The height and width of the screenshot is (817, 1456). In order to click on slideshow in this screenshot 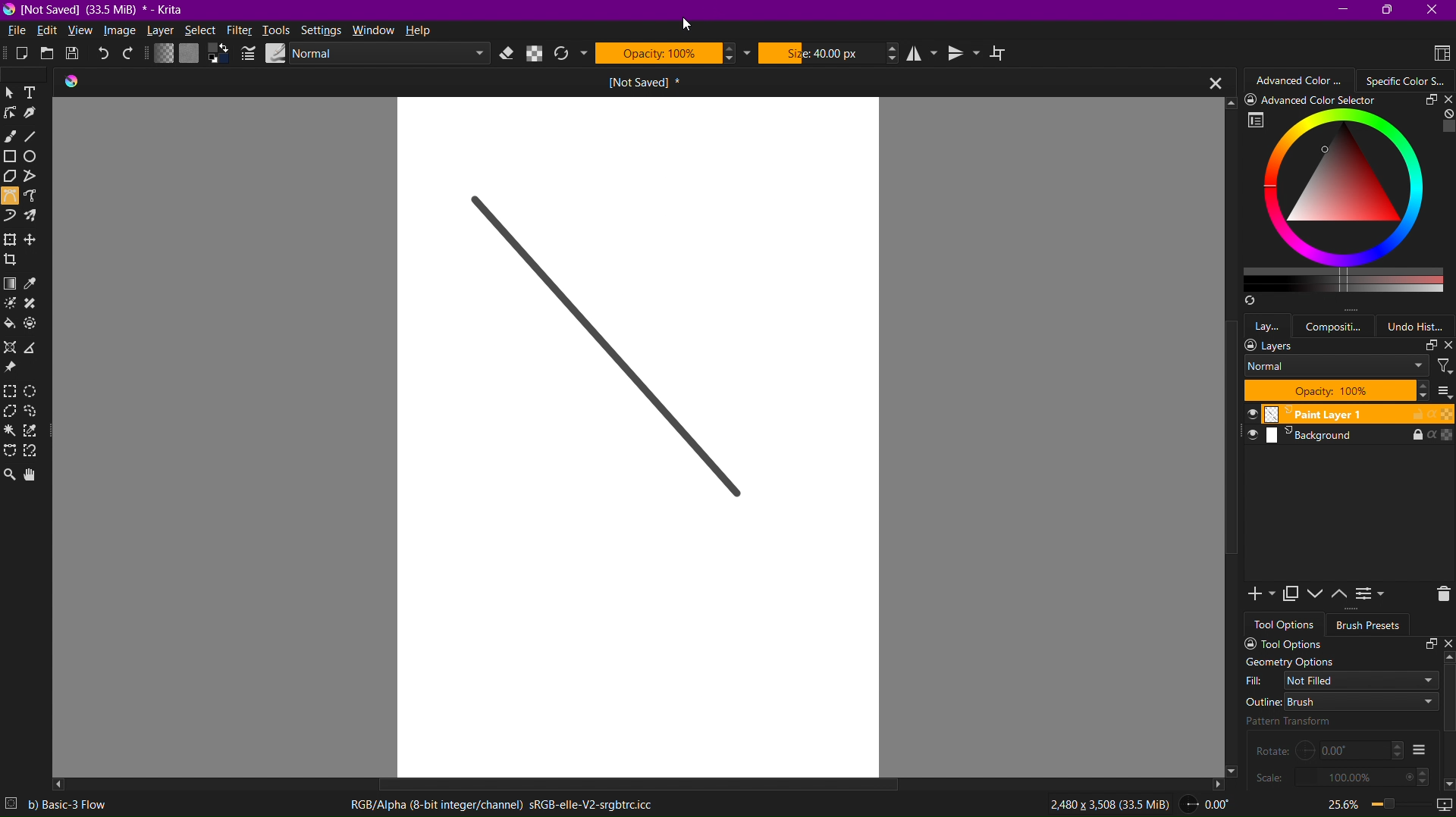, I will do `click(1441, 800)`.